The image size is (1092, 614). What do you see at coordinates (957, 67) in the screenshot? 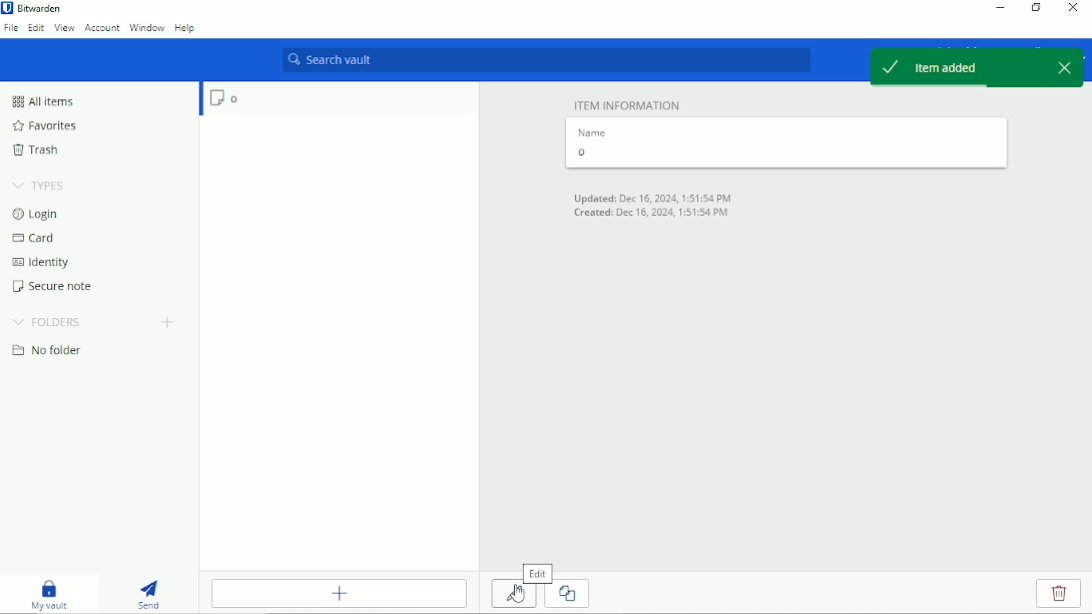
I see `Item added` at bounding box center [957, 67].